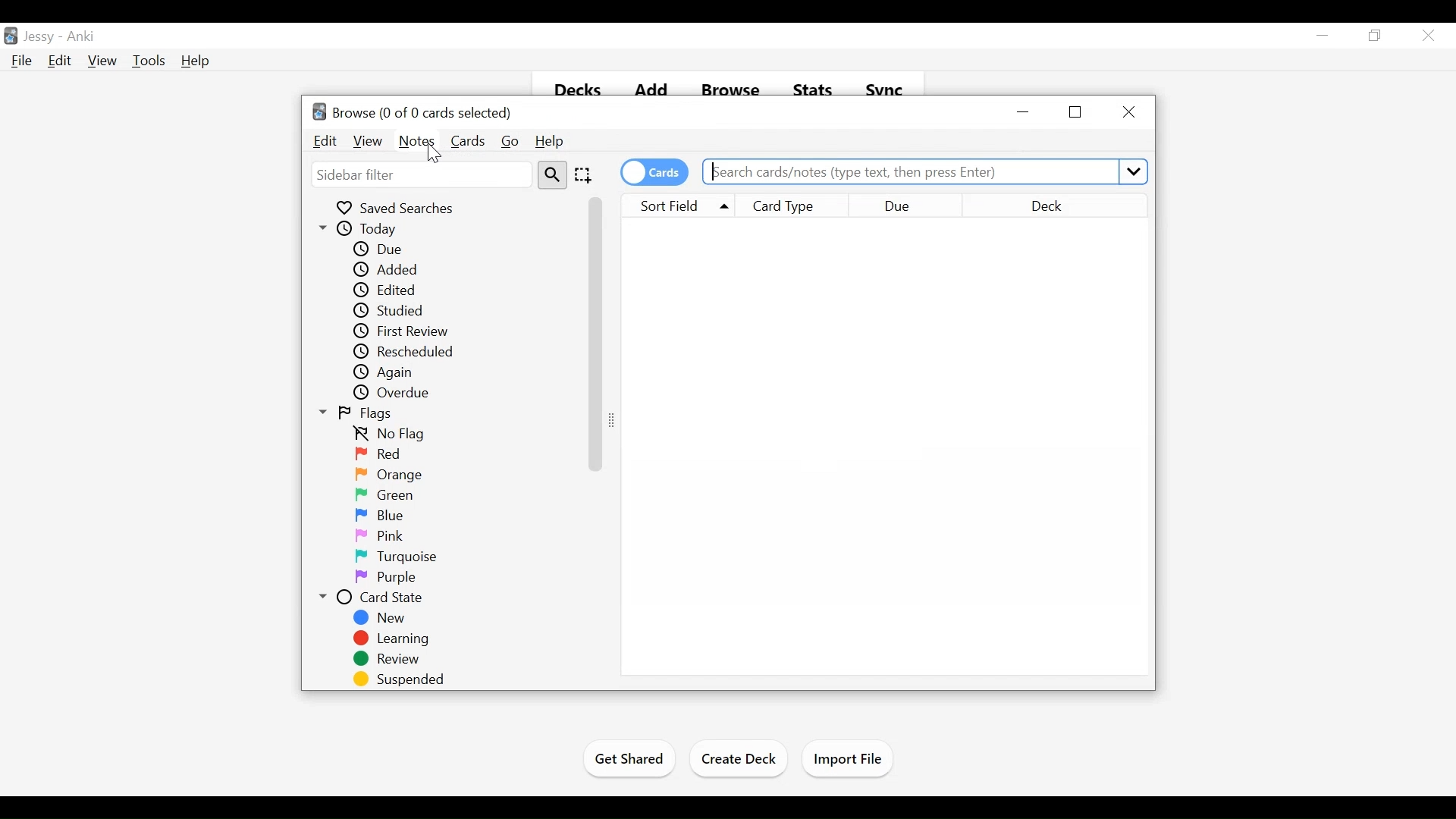  Describe the element at coordinates (386, 660) in the screenshot. I see `Review` at that location.